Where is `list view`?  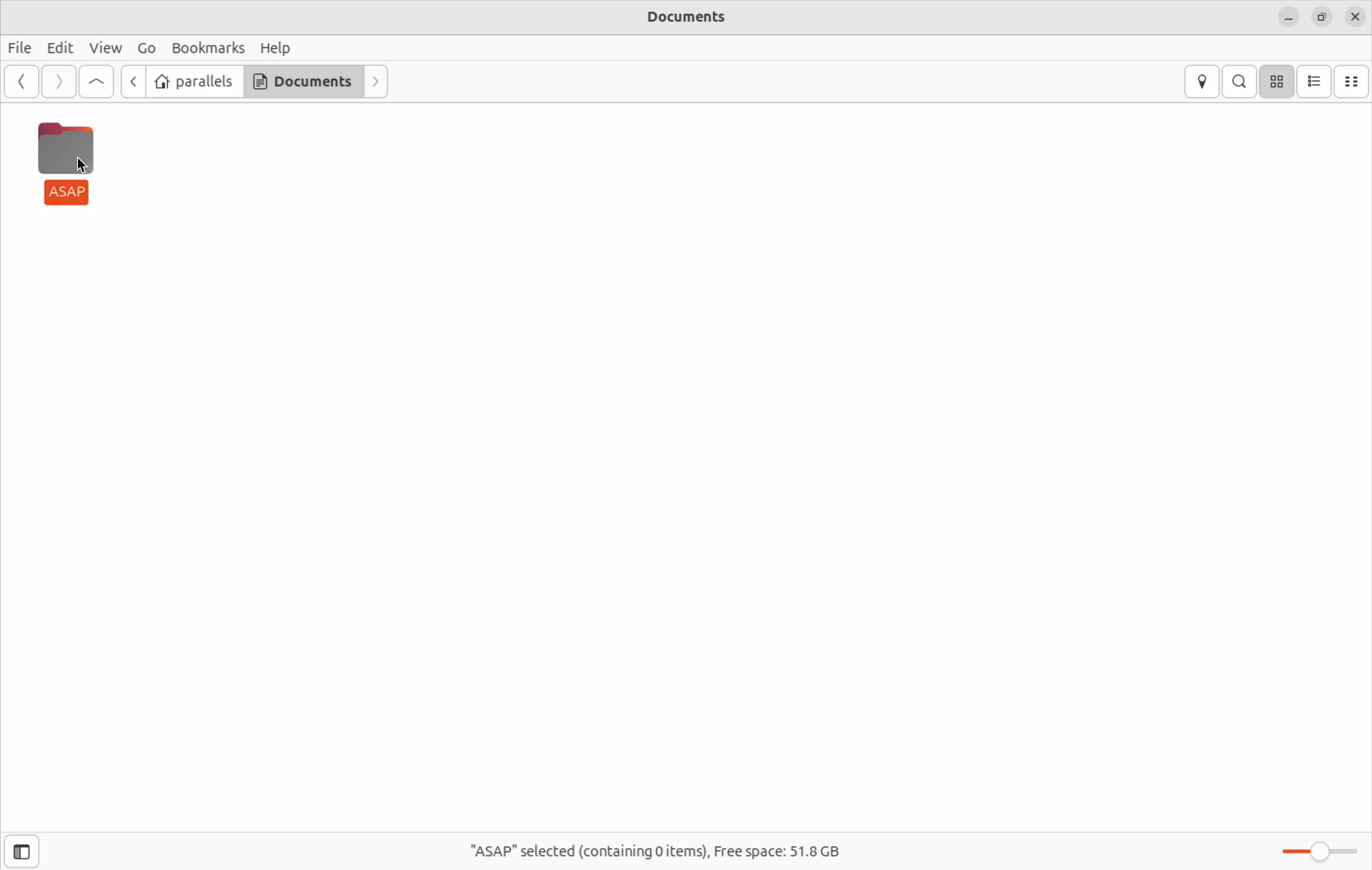
list view is located at coordinates (1317, 81).